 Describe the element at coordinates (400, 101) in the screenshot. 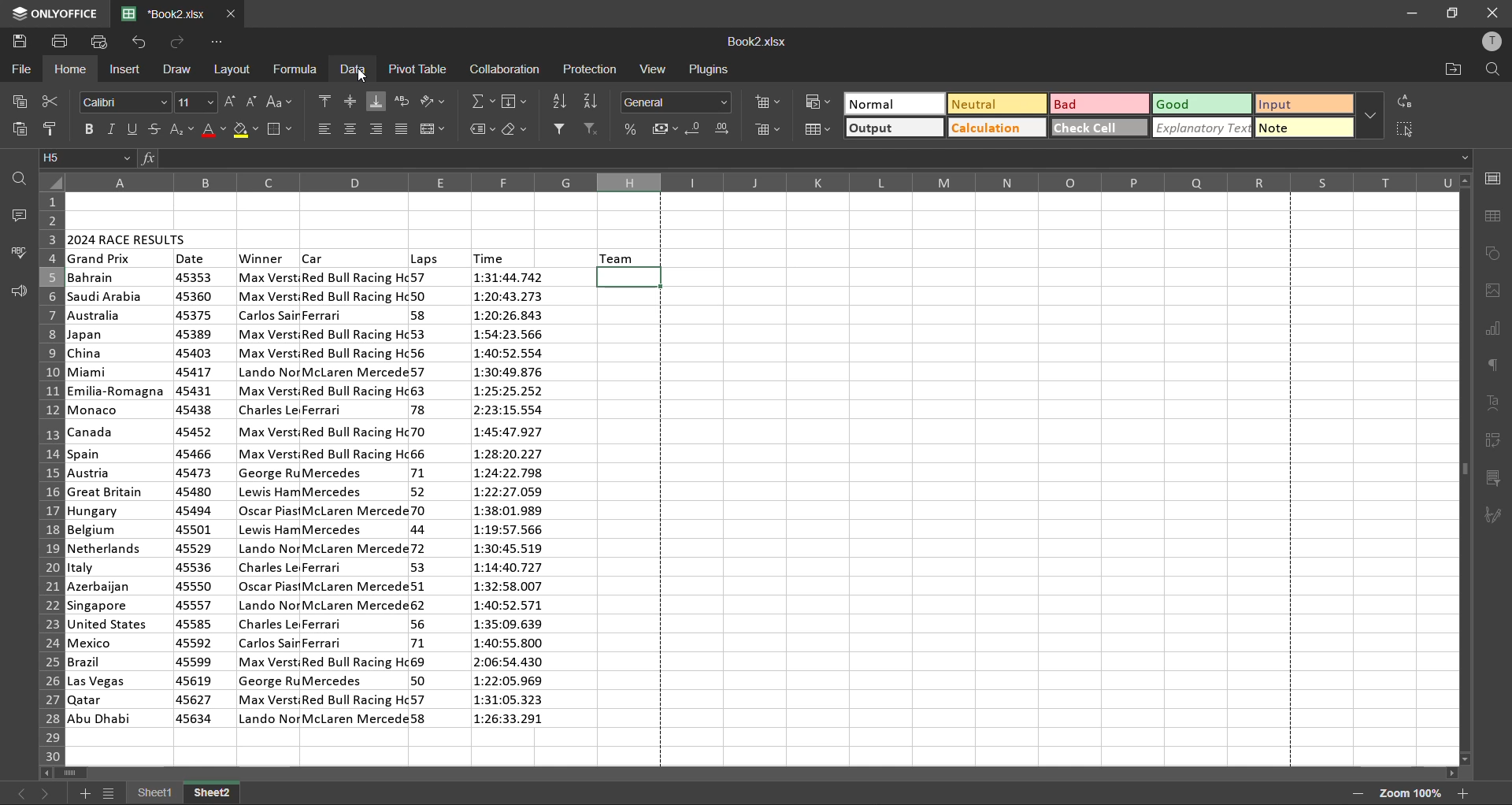

I see `wrap text` at that location.